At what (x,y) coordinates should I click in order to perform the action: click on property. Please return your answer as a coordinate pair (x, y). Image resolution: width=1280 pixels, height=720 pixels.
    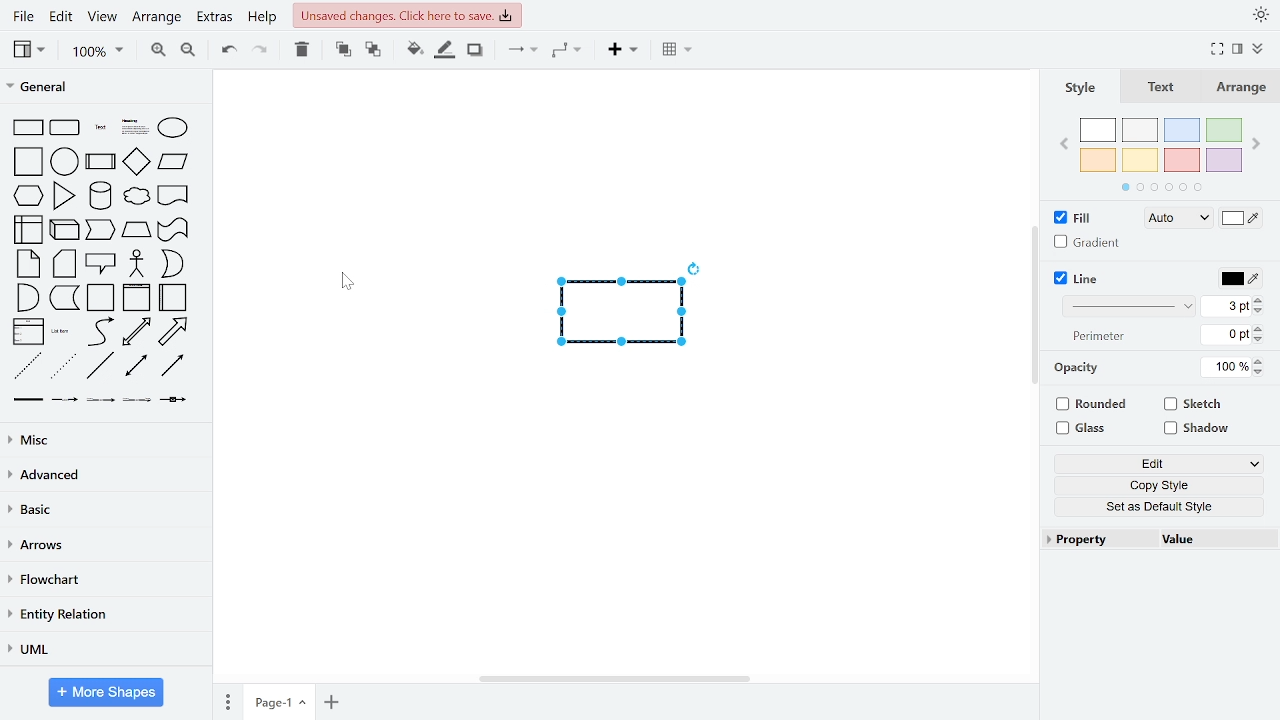
    Looking at the image, I should click on (1103, 541).